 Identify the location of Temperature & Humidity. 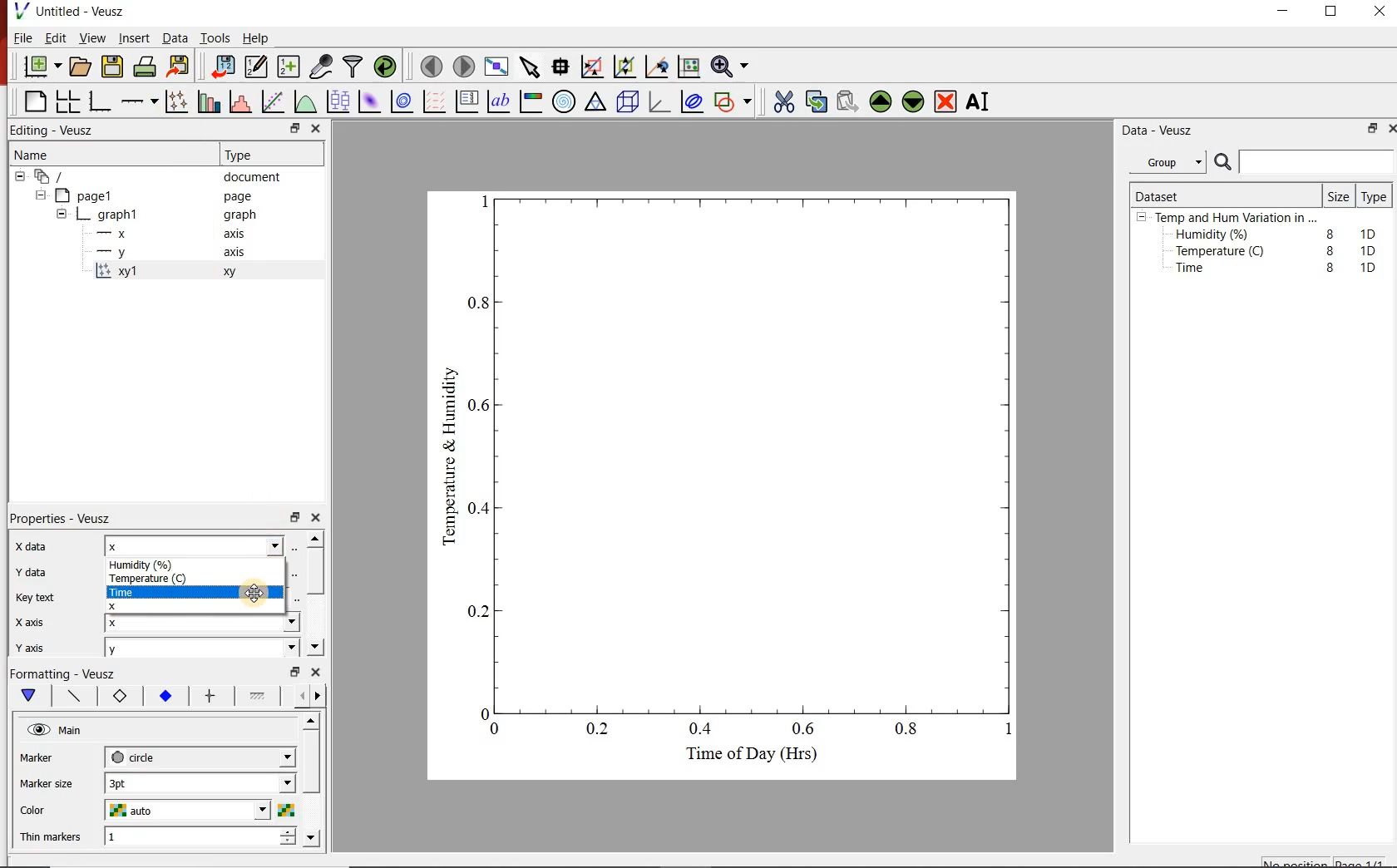
(449, 451).